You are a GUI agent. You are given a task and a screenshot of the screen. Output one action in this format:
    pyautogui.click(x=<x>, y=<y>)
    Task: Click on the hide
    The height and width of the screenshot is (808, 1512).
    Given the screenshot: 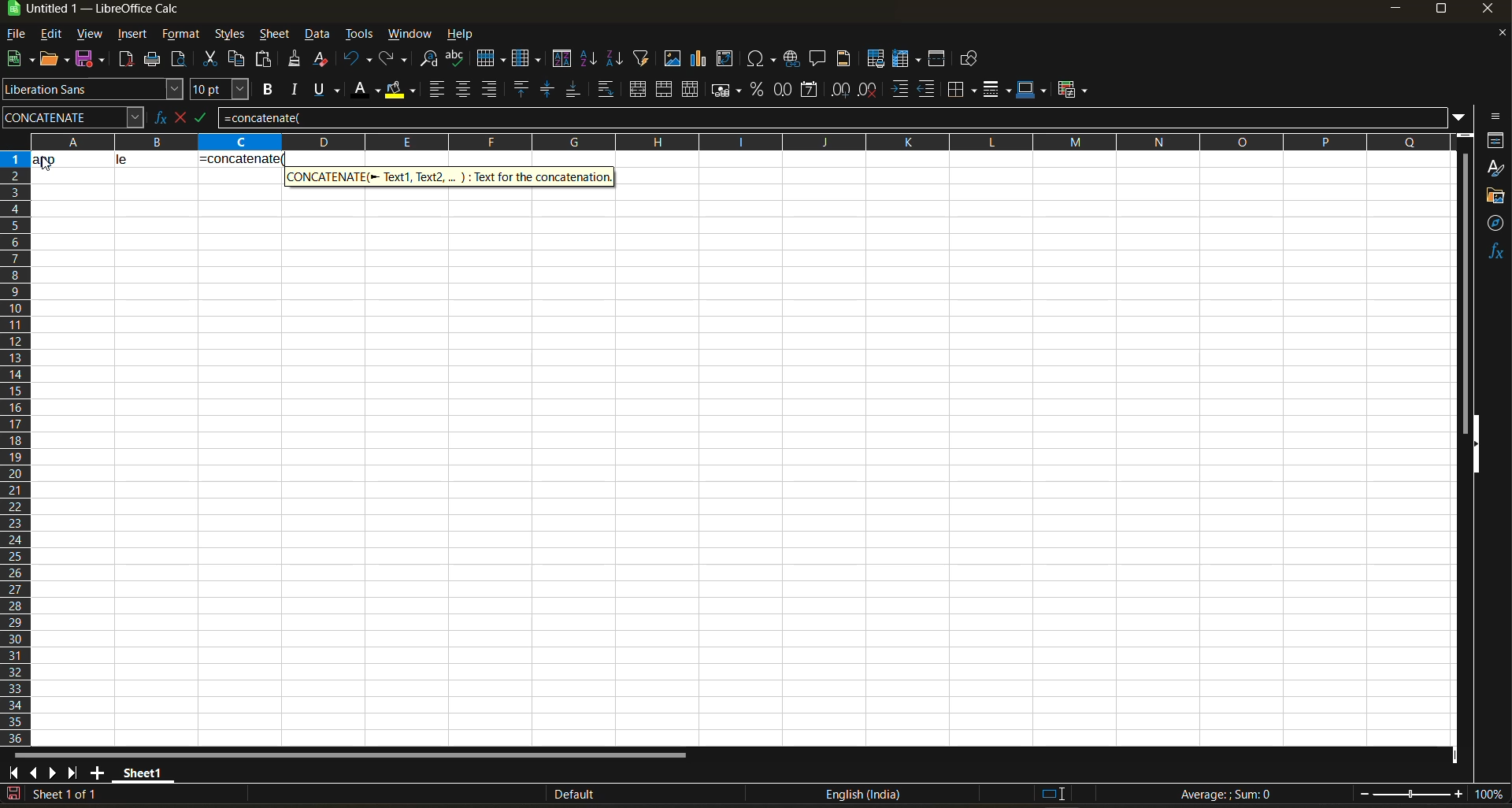 What is the action you would take?
    pyautogui.click(x=1475, y=445)
    